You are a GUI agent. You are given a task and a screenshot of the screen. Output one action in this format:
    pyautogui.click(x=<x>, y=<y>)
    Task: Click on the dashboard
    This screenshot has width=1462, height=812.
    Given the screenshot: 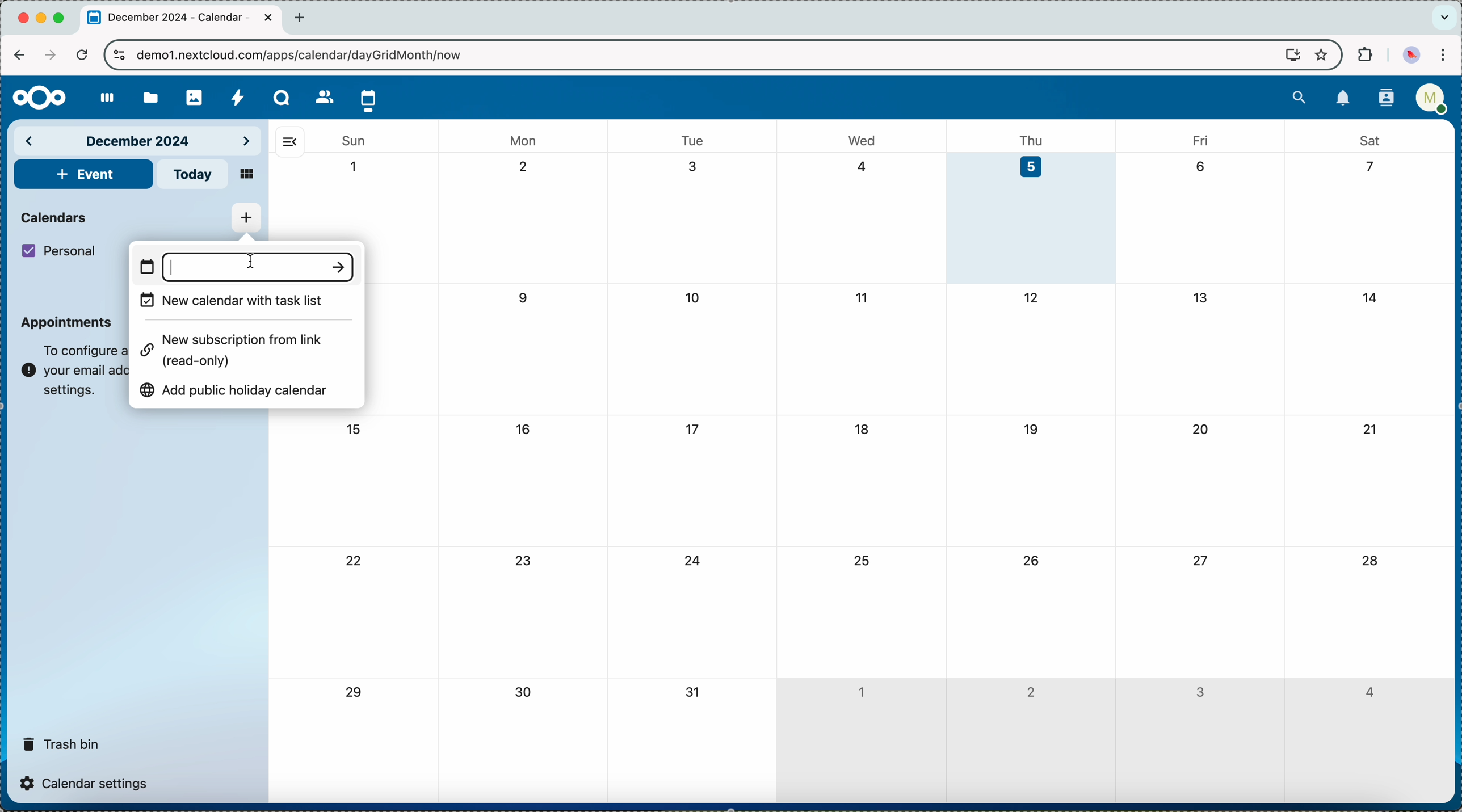 What is the action you would take?
    pyautogui.click(x=102, y=99)
    